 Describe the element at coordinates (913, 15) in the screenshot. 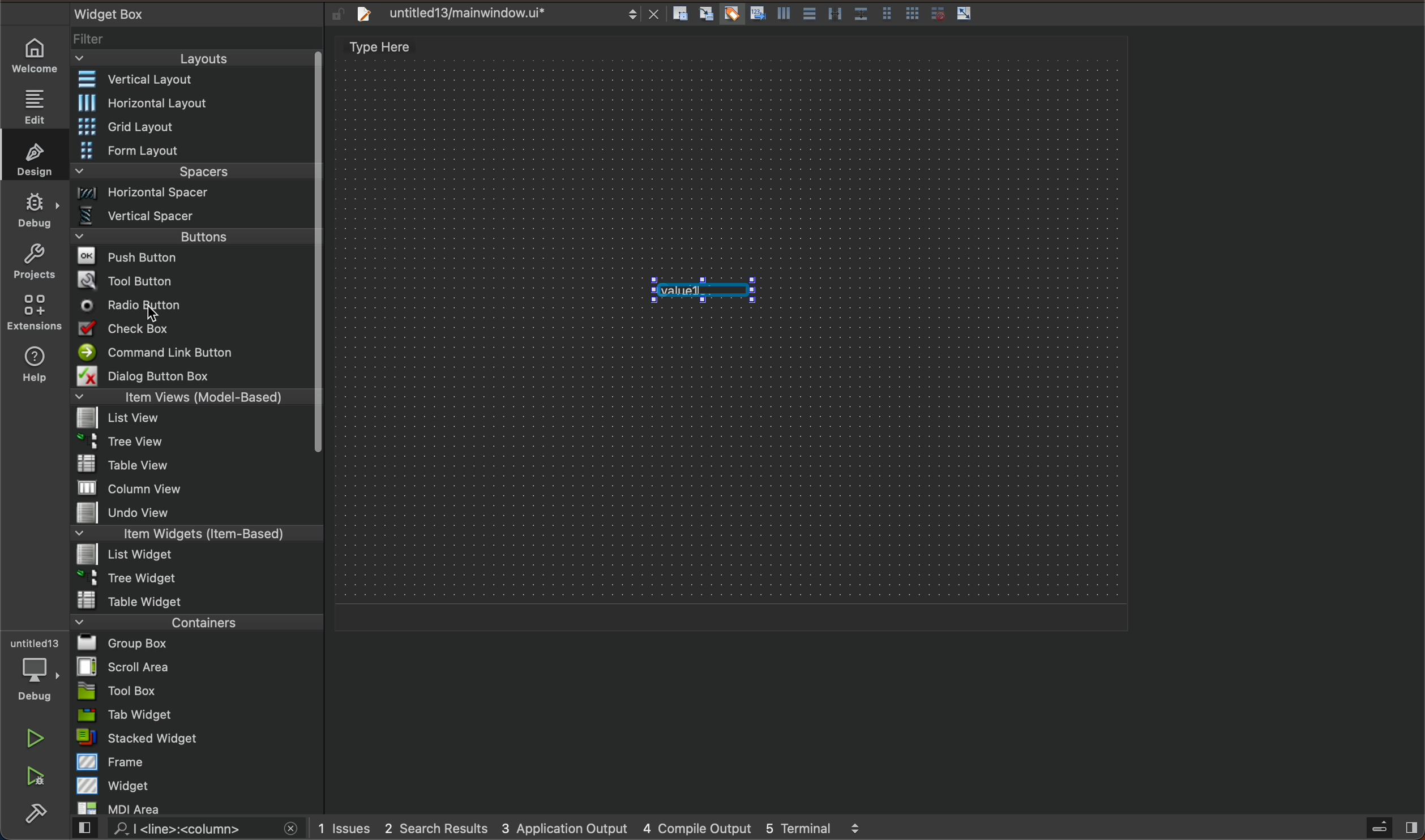

I see `` at that location.